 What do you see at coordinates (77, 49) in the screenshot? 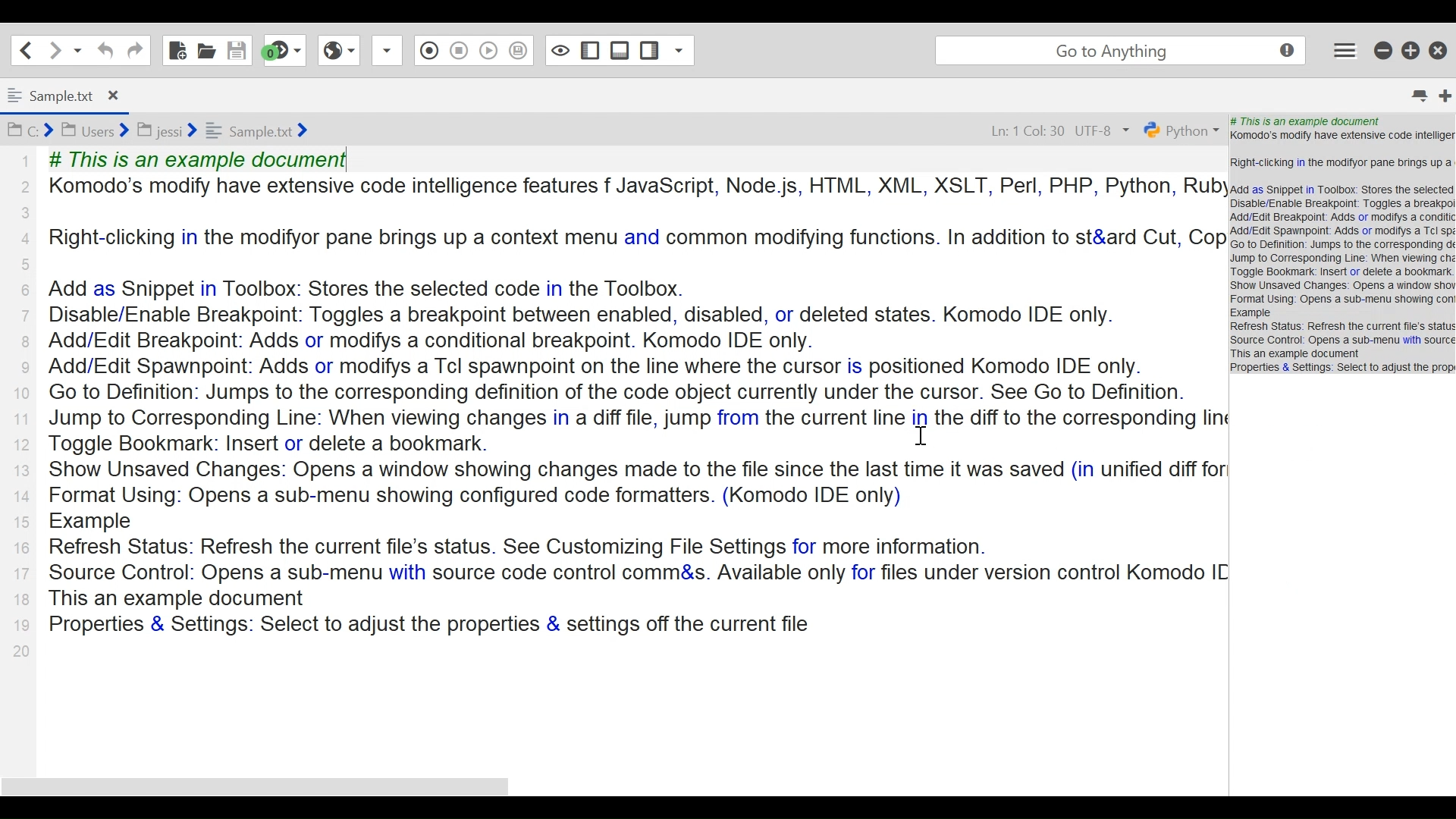
I see `Recent locations` at bounding box center [77, 49].